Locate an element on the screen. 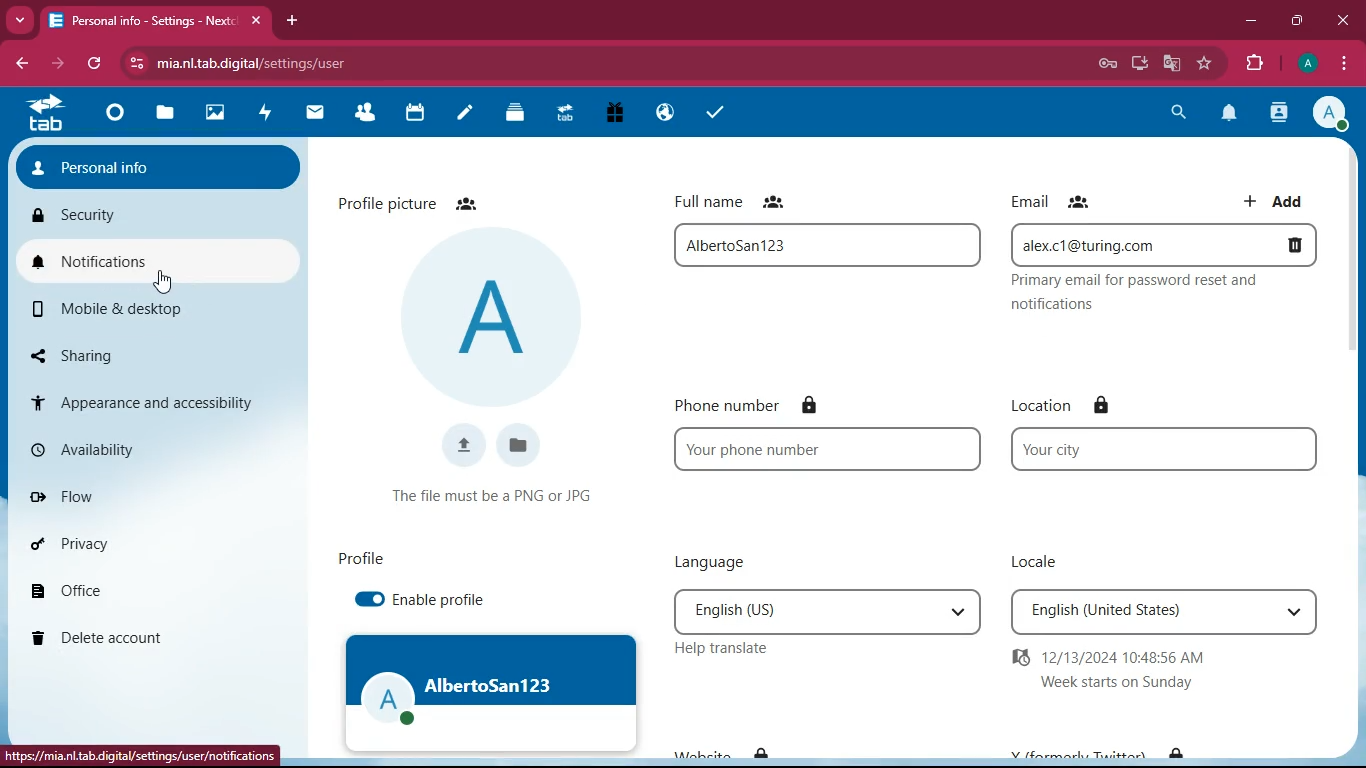  phone number is located at coordinates (722, 404).